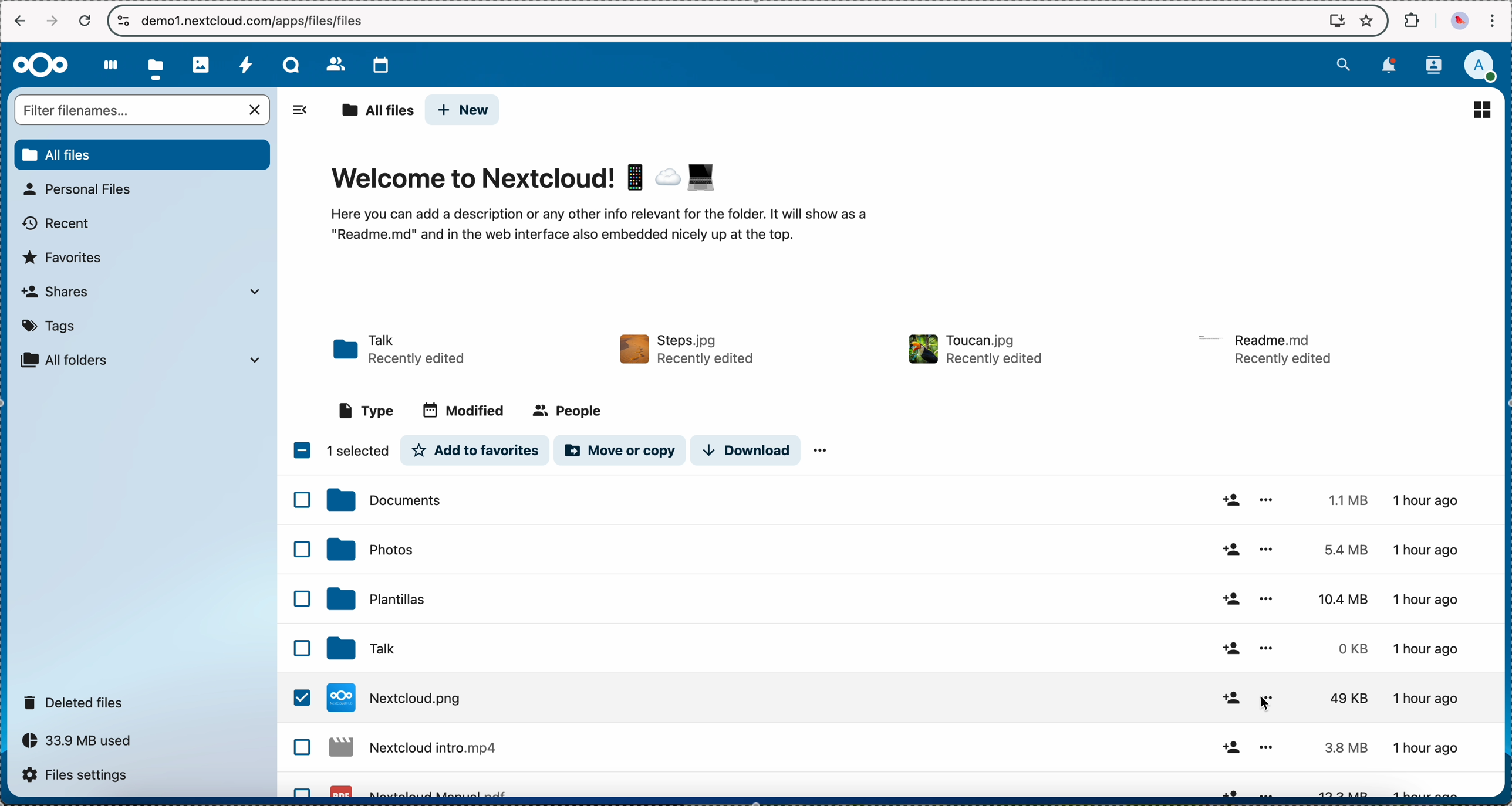 The image size is (1512, 806). What do you see at coordinates (49, 22) in the screenshot?
I see `navigate foward` at bounding box center [49, 22].